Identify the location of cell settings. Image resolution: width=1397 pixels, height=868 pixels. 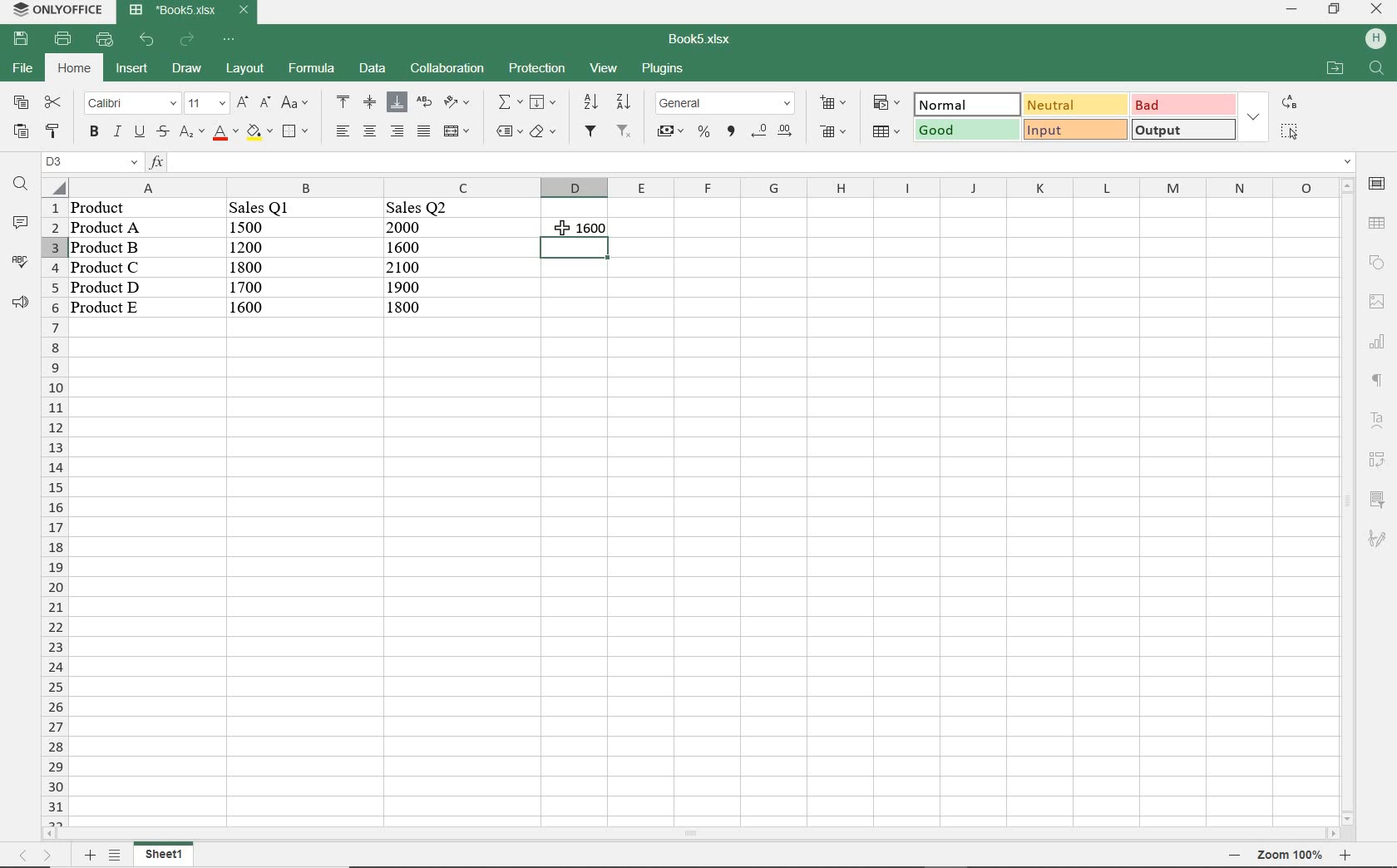
(1377, 184).